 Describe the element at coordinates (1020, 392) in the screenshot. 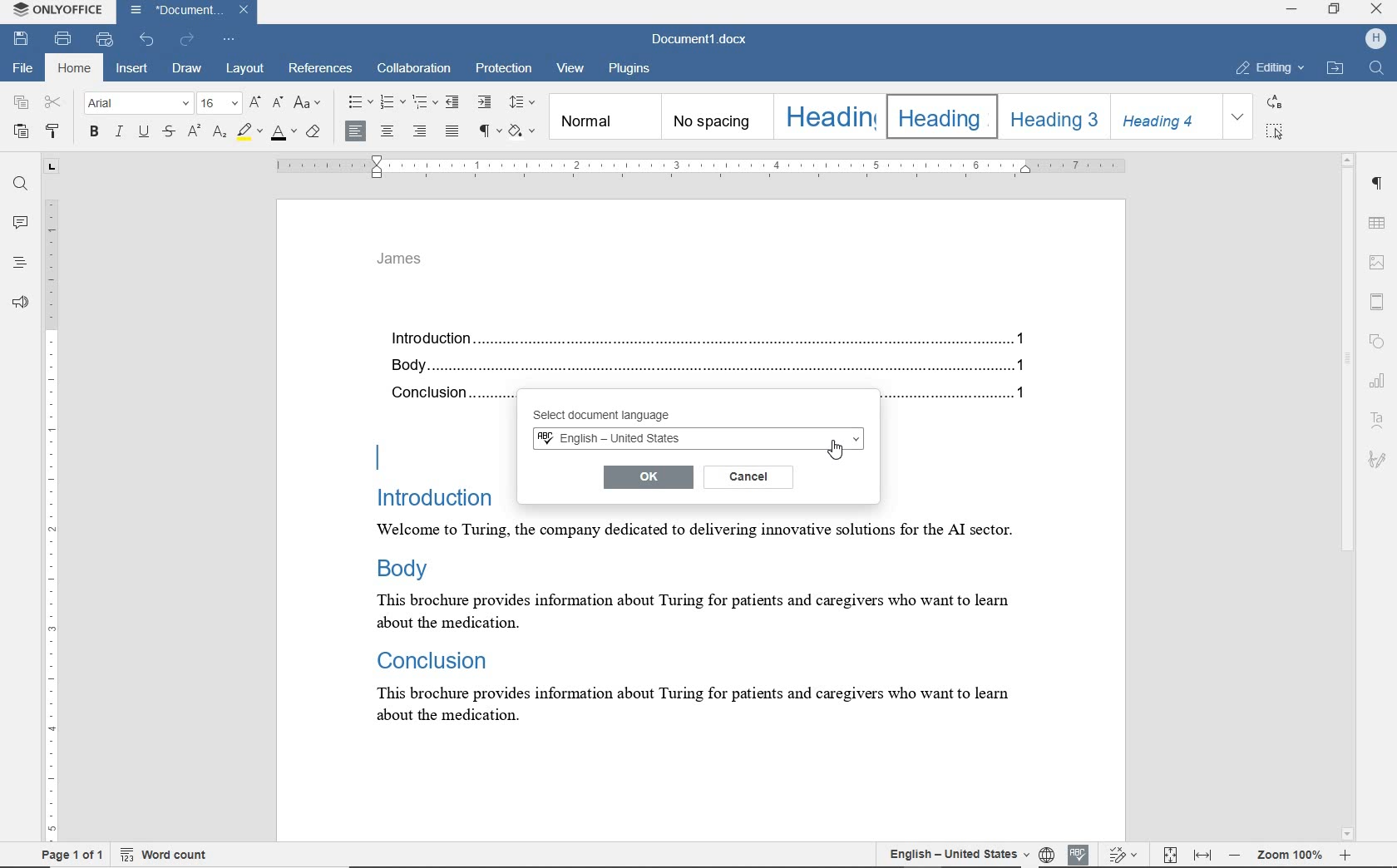

I see `1` at that location.